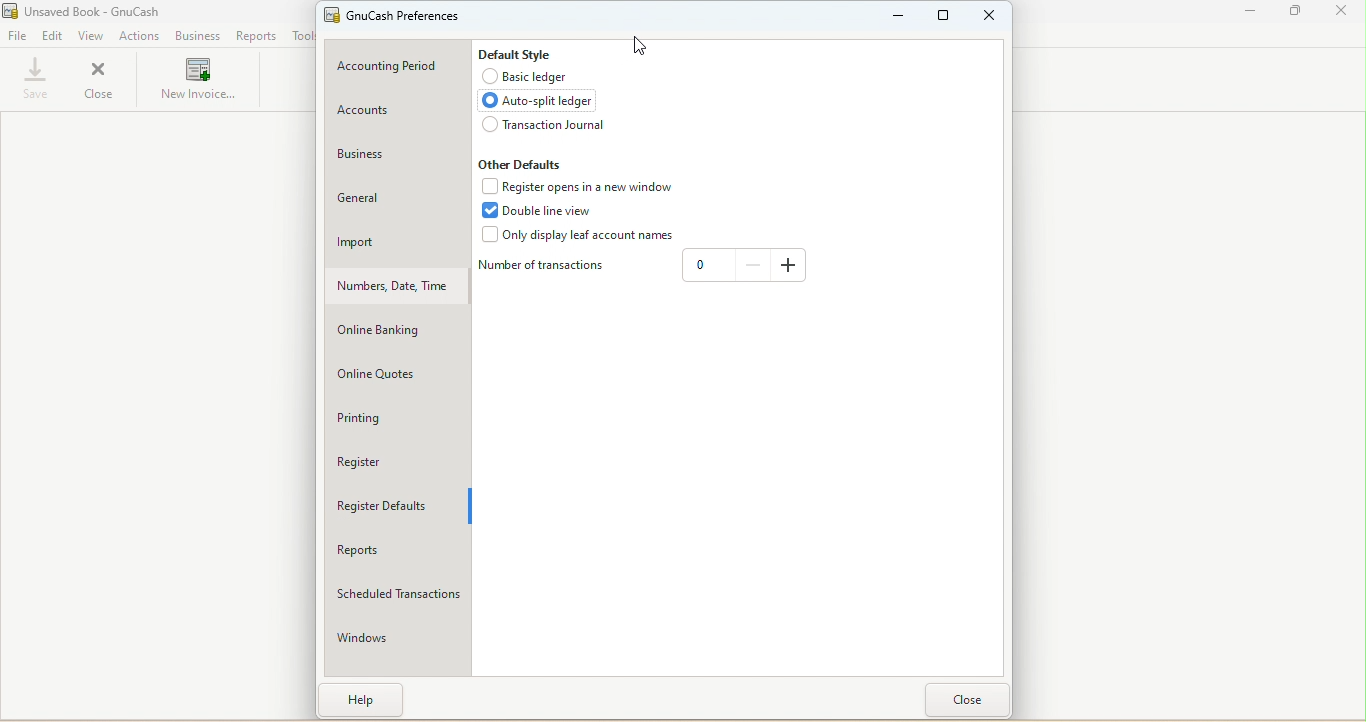 The height and width of the screenshot is (722, 1366). What do you see at coordinates (899, 20) in the screenshot?
I see `Minimize` at bounding box center [899, 20].